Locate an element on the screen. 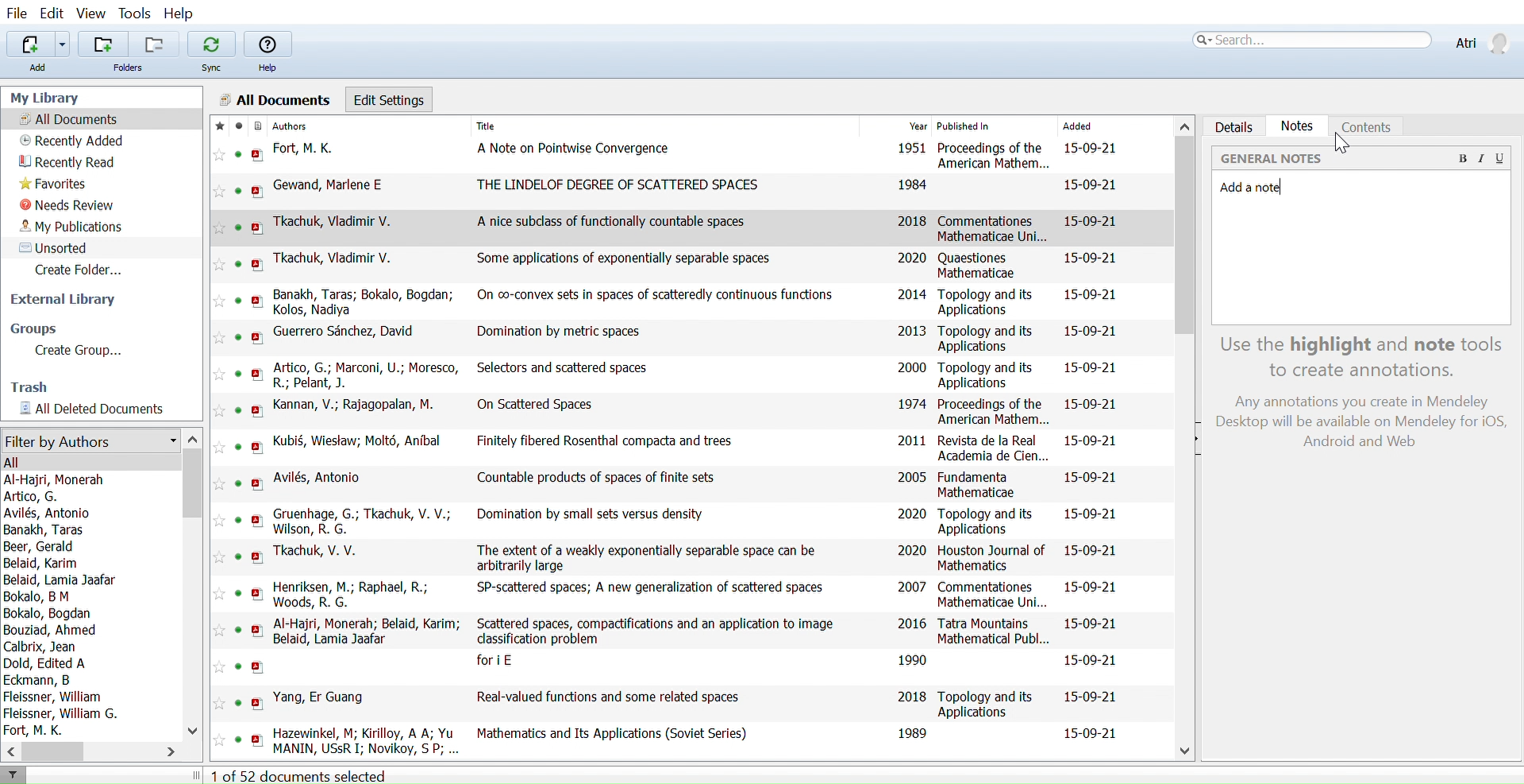 This screenshot has width=1524, height=784. 1 of 52 documents selected is located at coordinates (307, 774).